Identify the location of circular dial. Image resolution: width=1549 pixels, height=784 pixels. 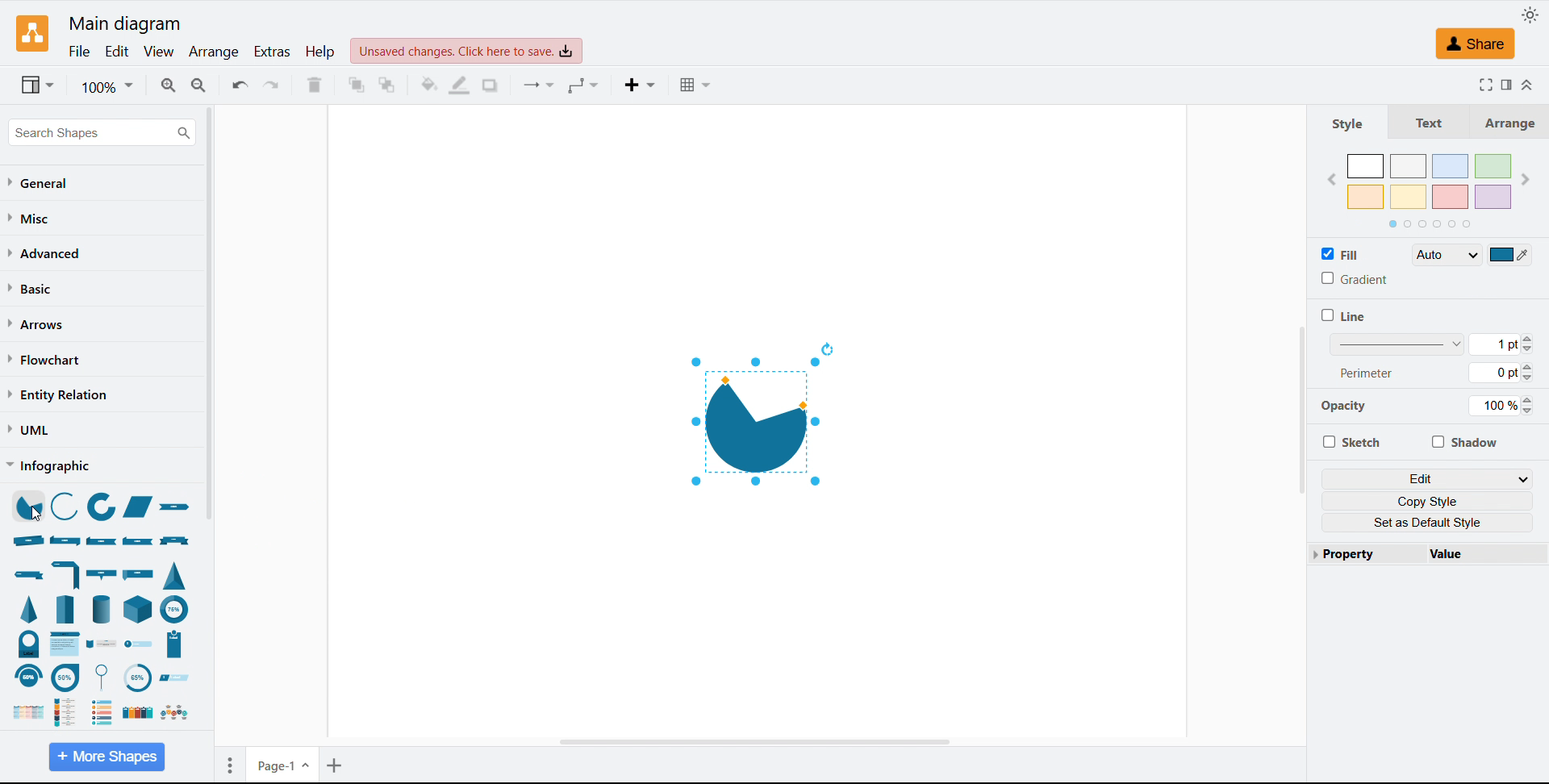
(138, 678).